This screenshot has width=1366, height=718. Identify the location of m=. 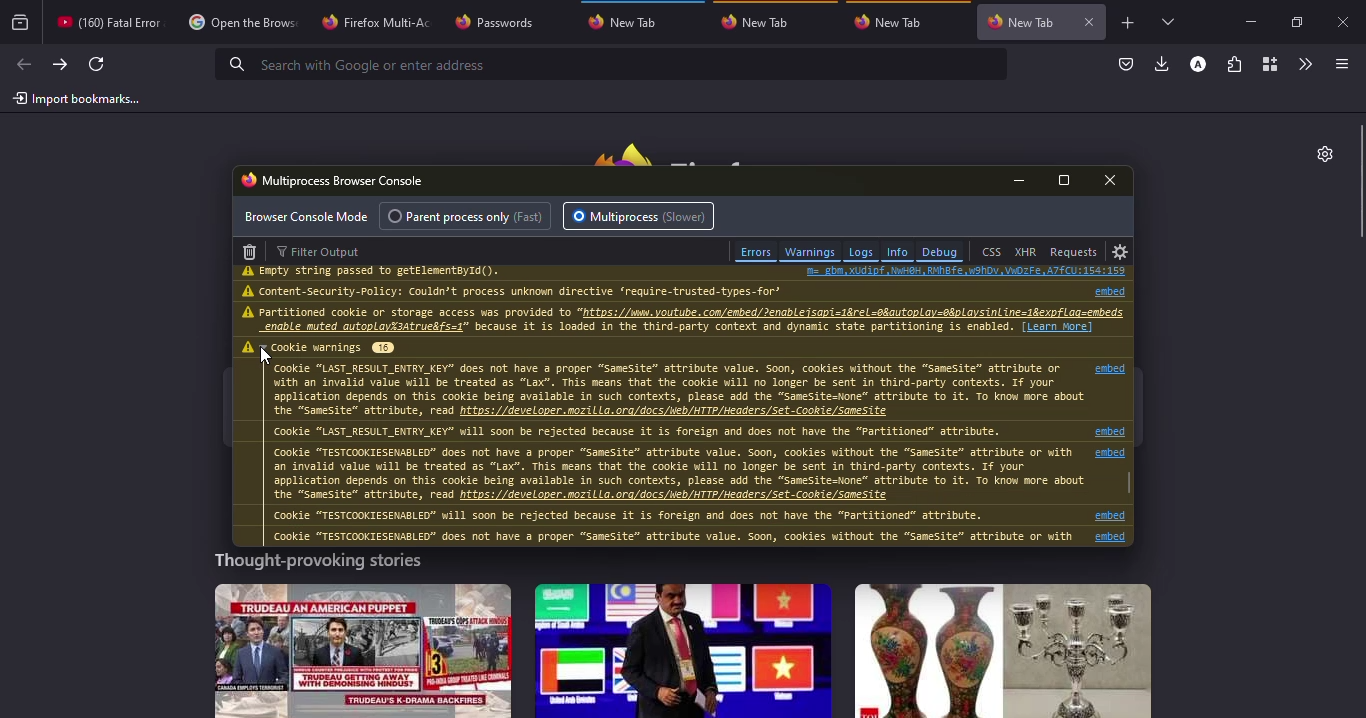
(966, 271).